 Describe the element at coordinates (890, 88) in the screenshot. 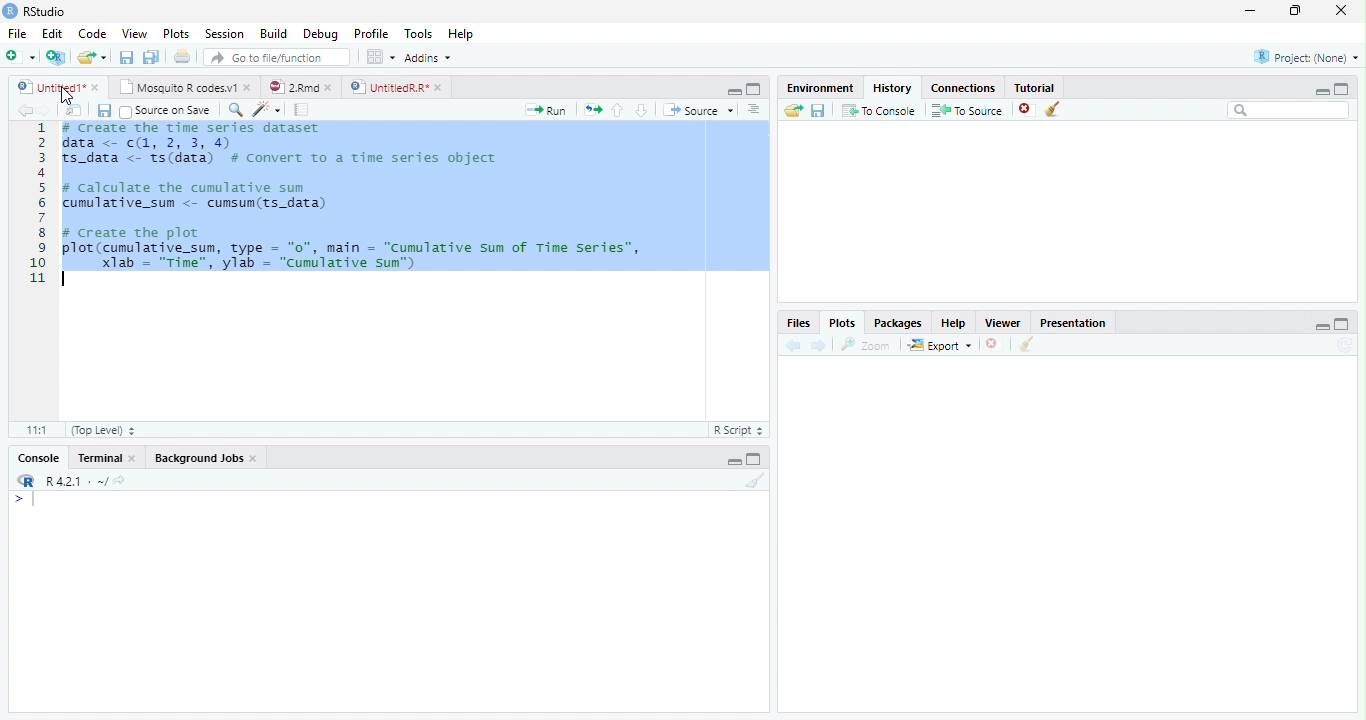

I see `History` at that location.